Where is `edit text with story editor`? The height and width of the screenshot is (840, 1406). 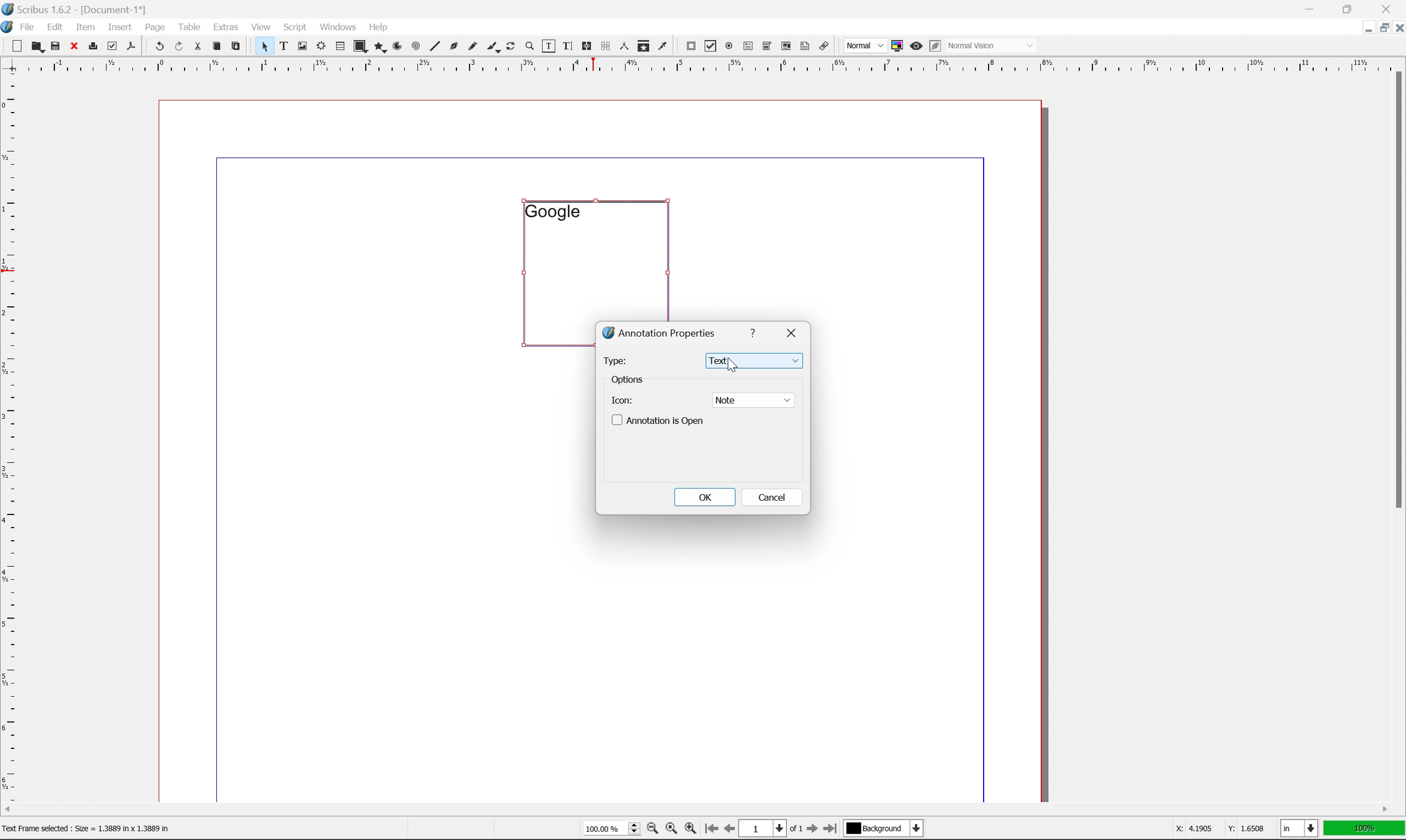
edit text with story editor is located at coordinates (565, 45).